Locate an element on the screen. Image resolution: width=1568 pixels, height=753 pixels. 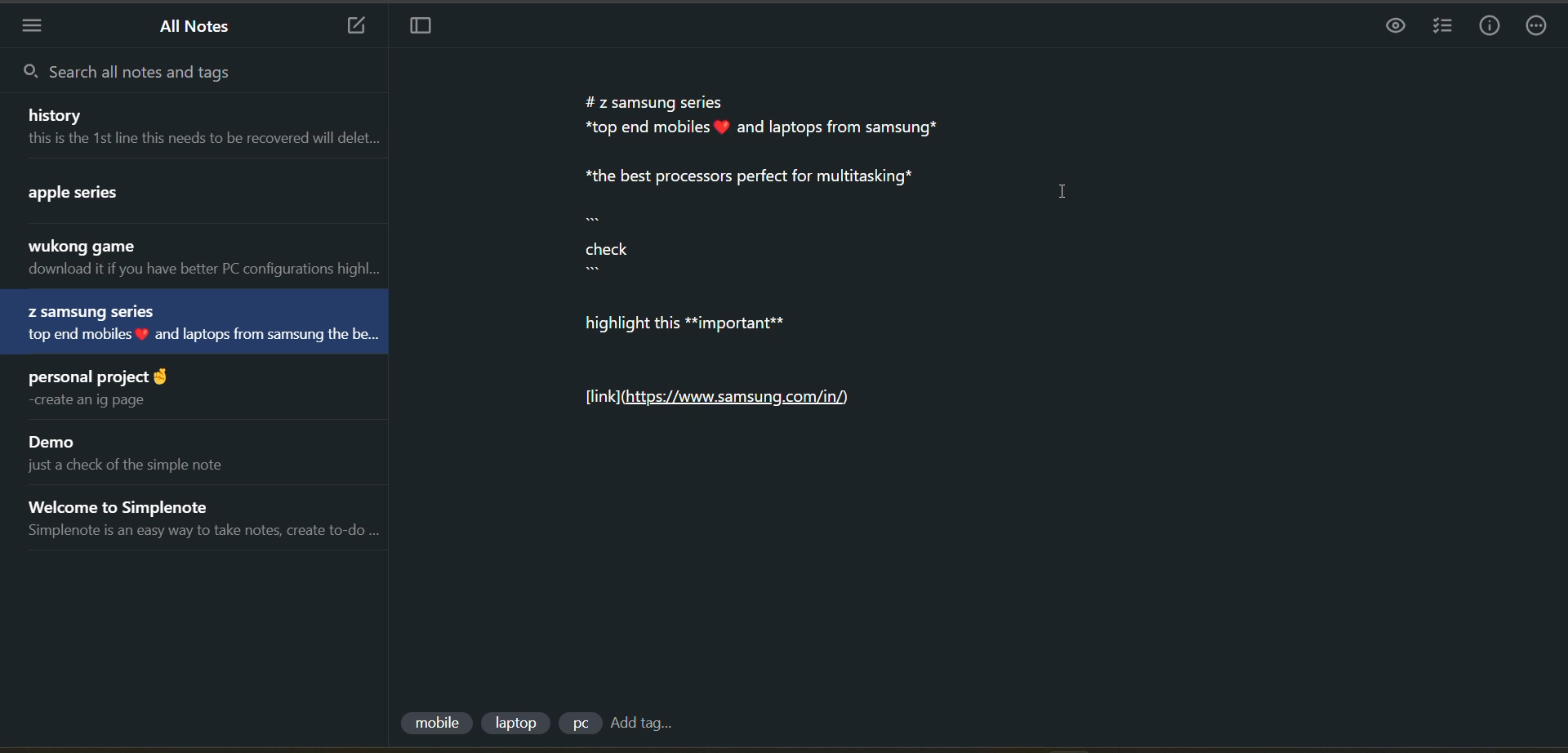
toggle focus mode is located at coordinates (422, 26).